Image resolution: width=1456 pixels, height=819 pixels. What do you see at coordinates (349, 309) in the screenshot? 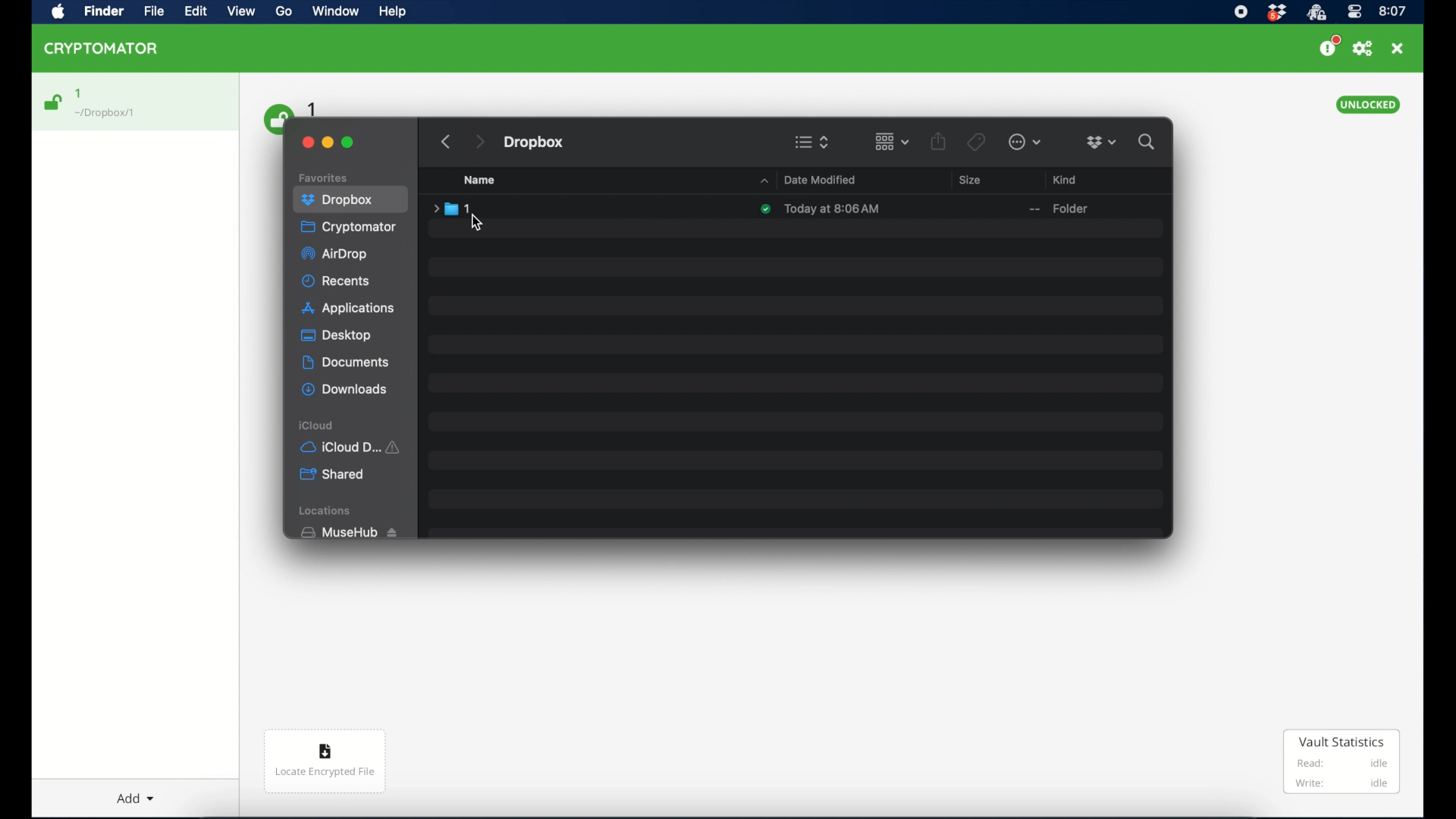
I see `applications` at bounding box center [349, 309].